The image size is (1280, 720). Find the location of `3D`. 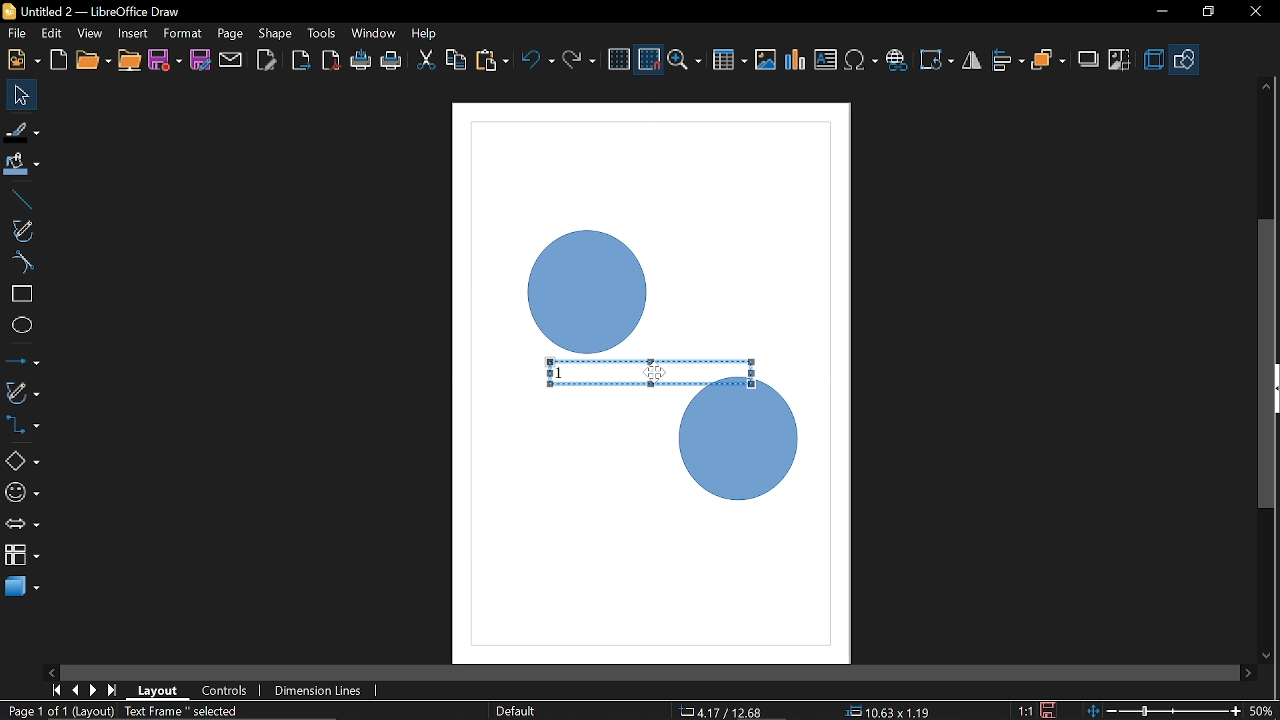

3D is located at coordinates (1154, 61).